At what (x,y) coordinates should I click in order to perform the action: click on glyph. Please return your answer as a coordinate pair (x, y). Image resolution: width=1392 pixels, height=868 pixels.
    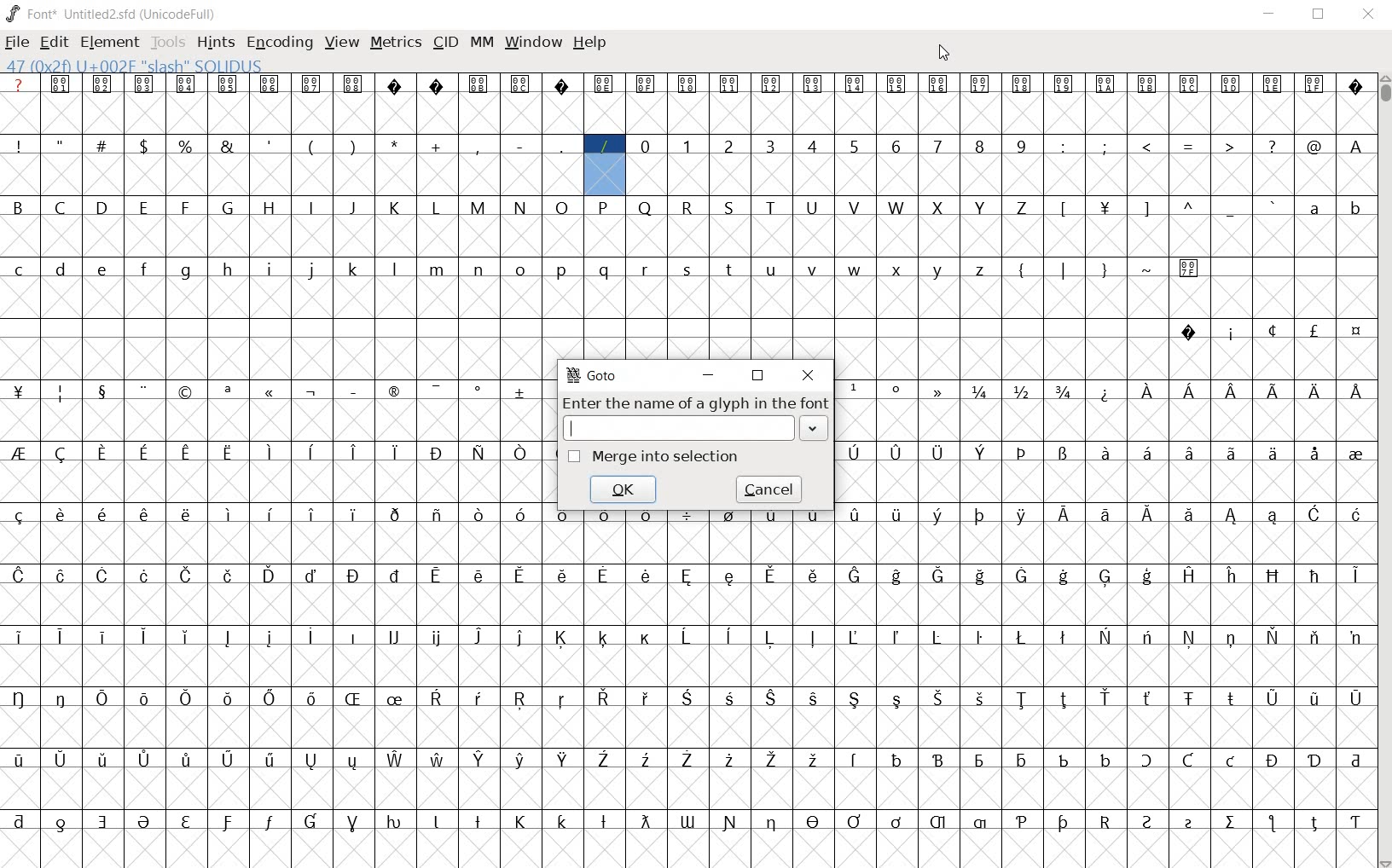
    Looking at the image, I should click on (437, 86).